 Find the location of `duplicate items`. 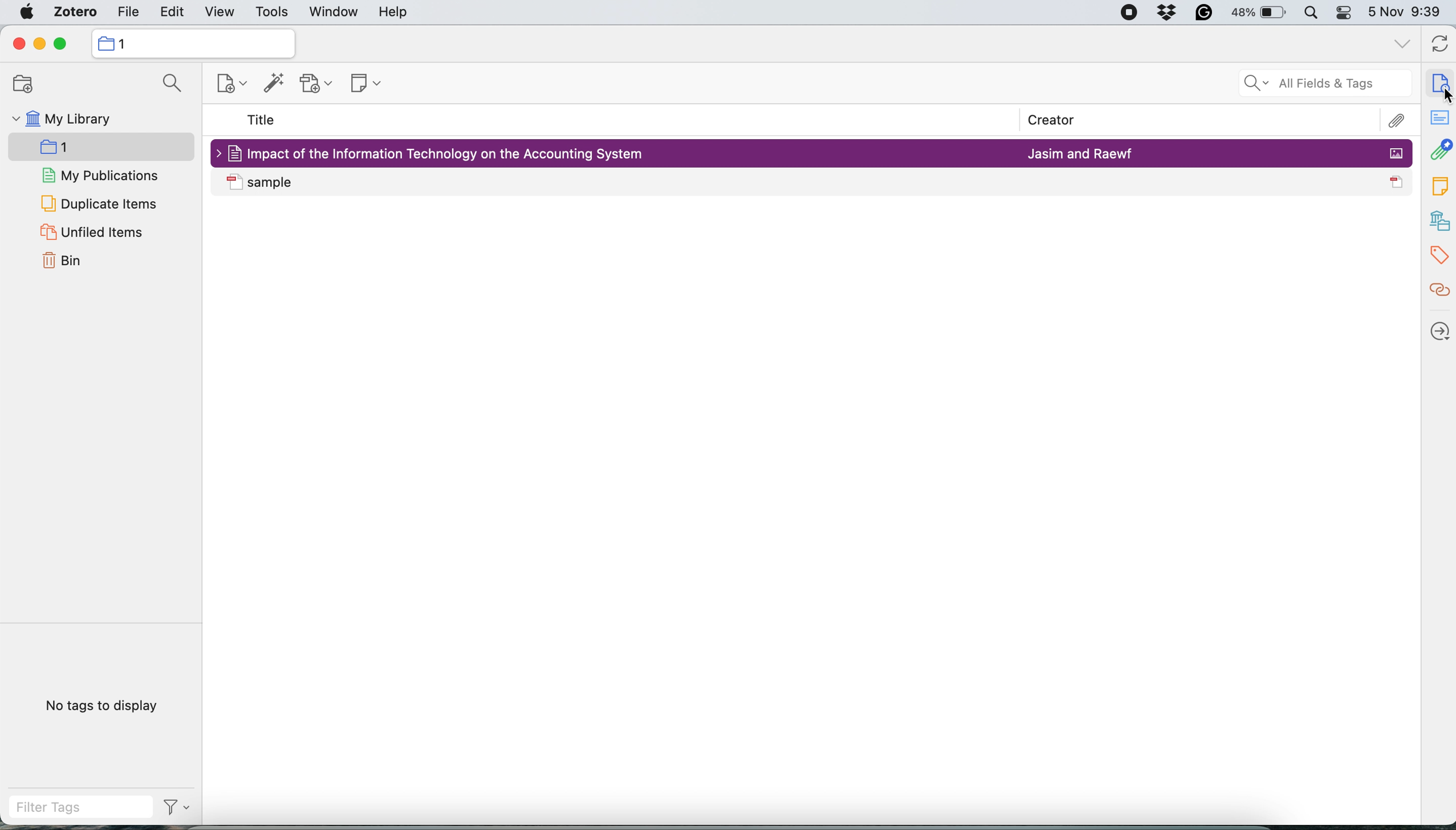

duplicate items is located at coordinates (100, 204).